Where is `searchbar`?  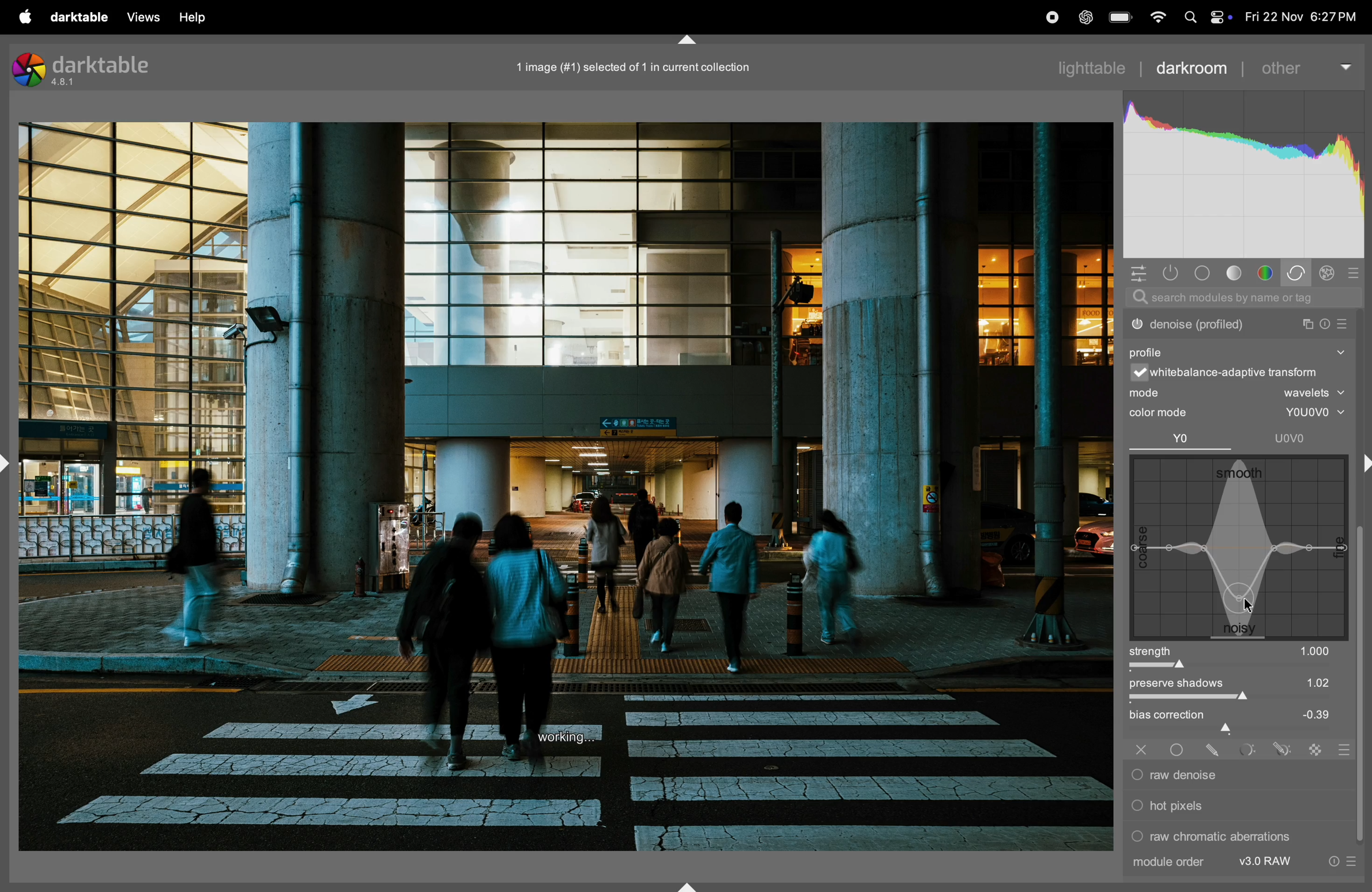
searchbar is located at coordinates (1243, 299).